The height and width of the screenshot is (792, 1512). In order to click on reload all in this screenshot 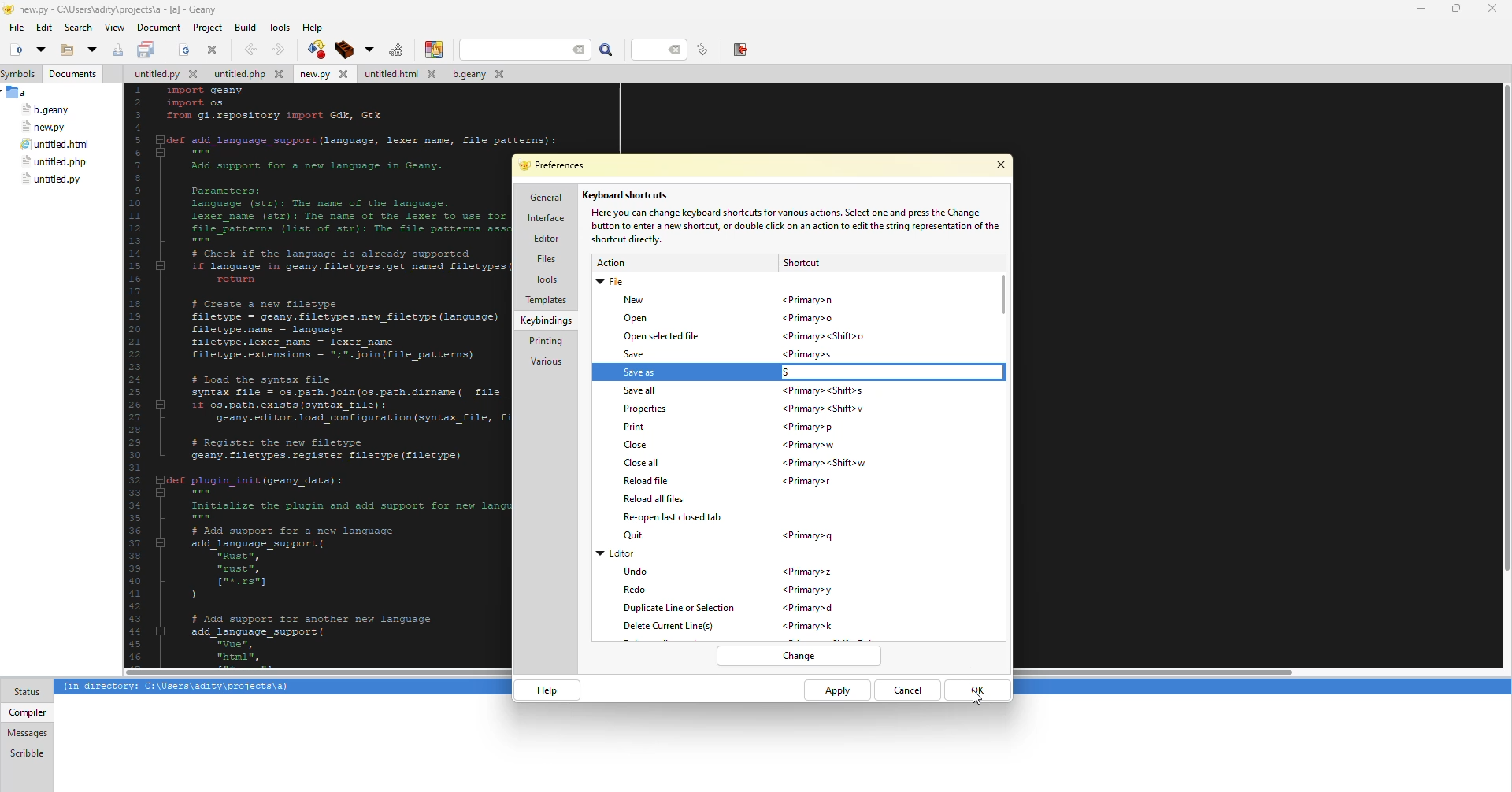, I will do `click(652, 499)`.